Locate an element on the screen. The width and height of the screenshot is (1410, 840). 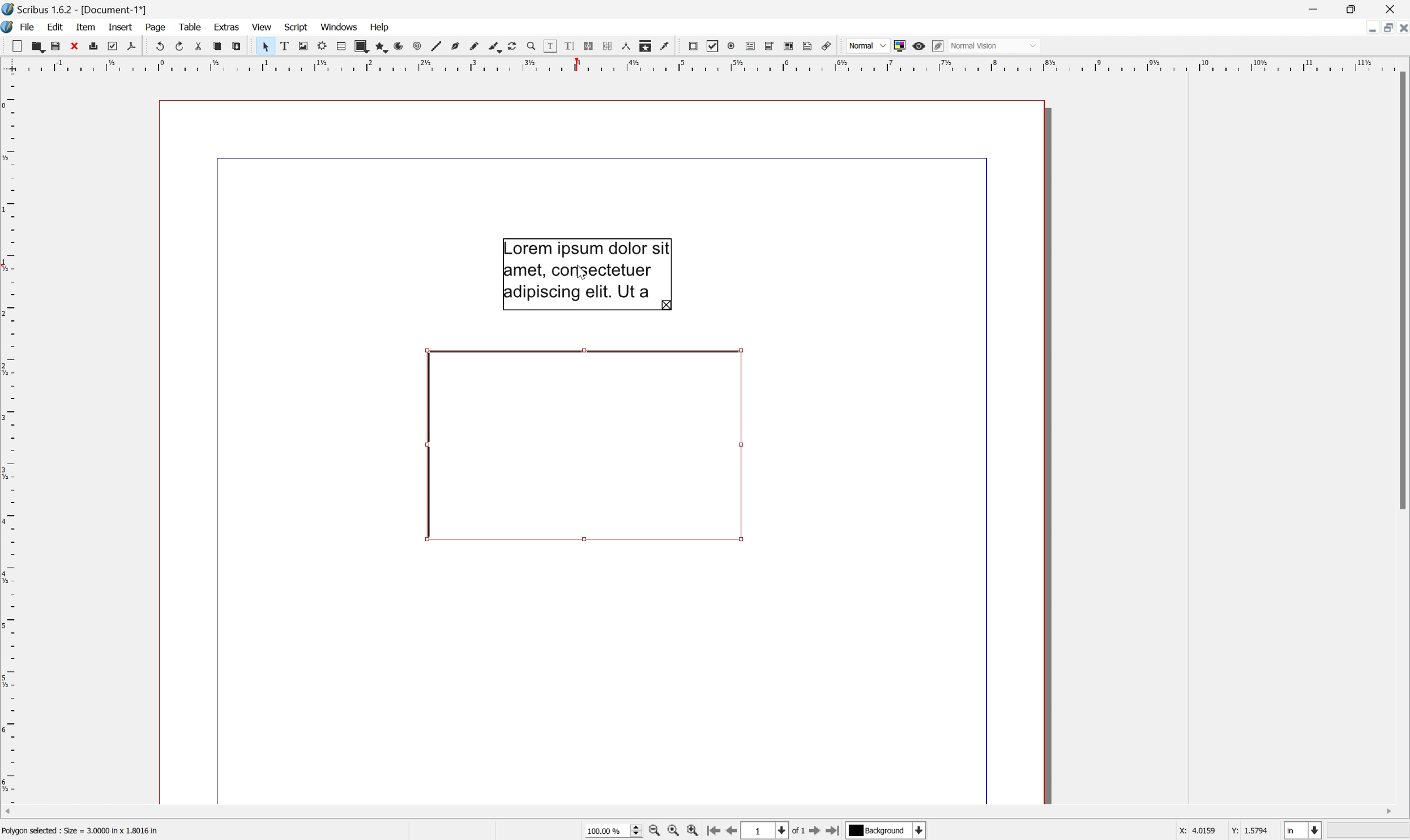
Cut is located at coordinates (198, 44).